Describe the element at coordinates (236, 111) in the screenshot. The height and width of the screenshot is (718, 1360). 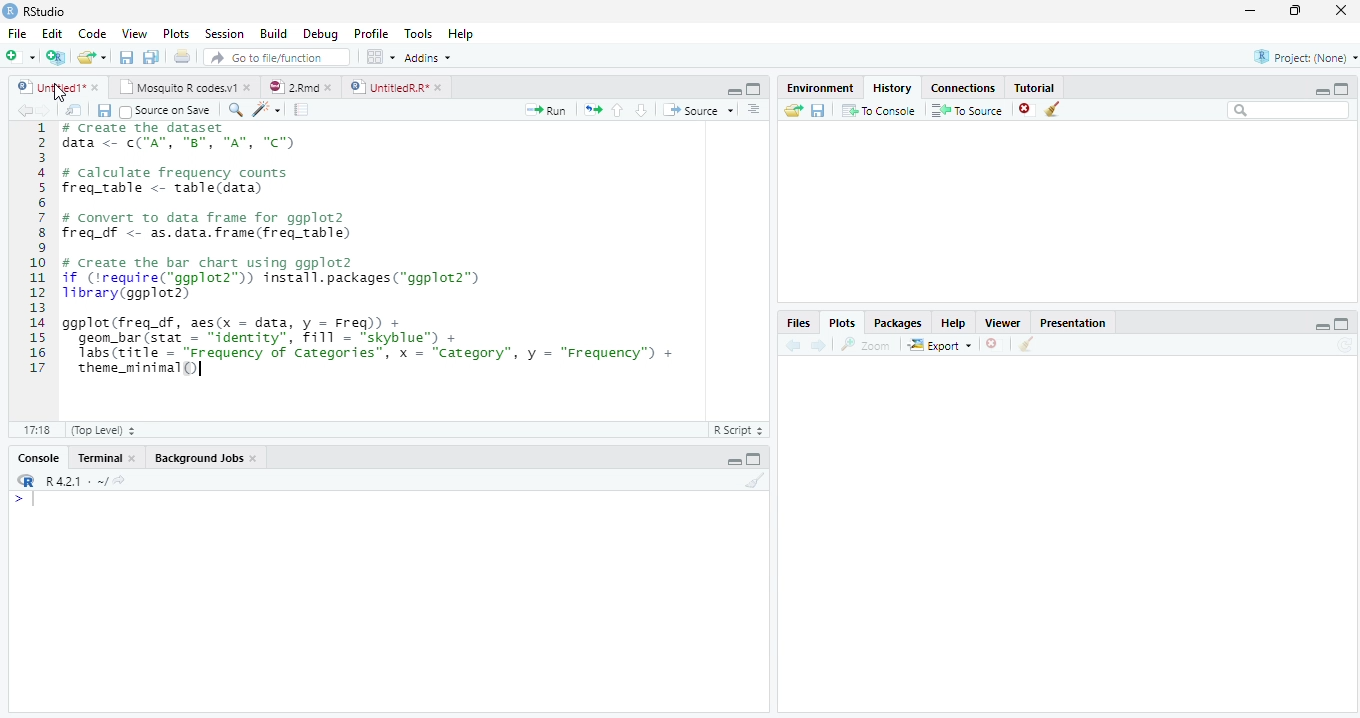
I see `Zoom` at that location.